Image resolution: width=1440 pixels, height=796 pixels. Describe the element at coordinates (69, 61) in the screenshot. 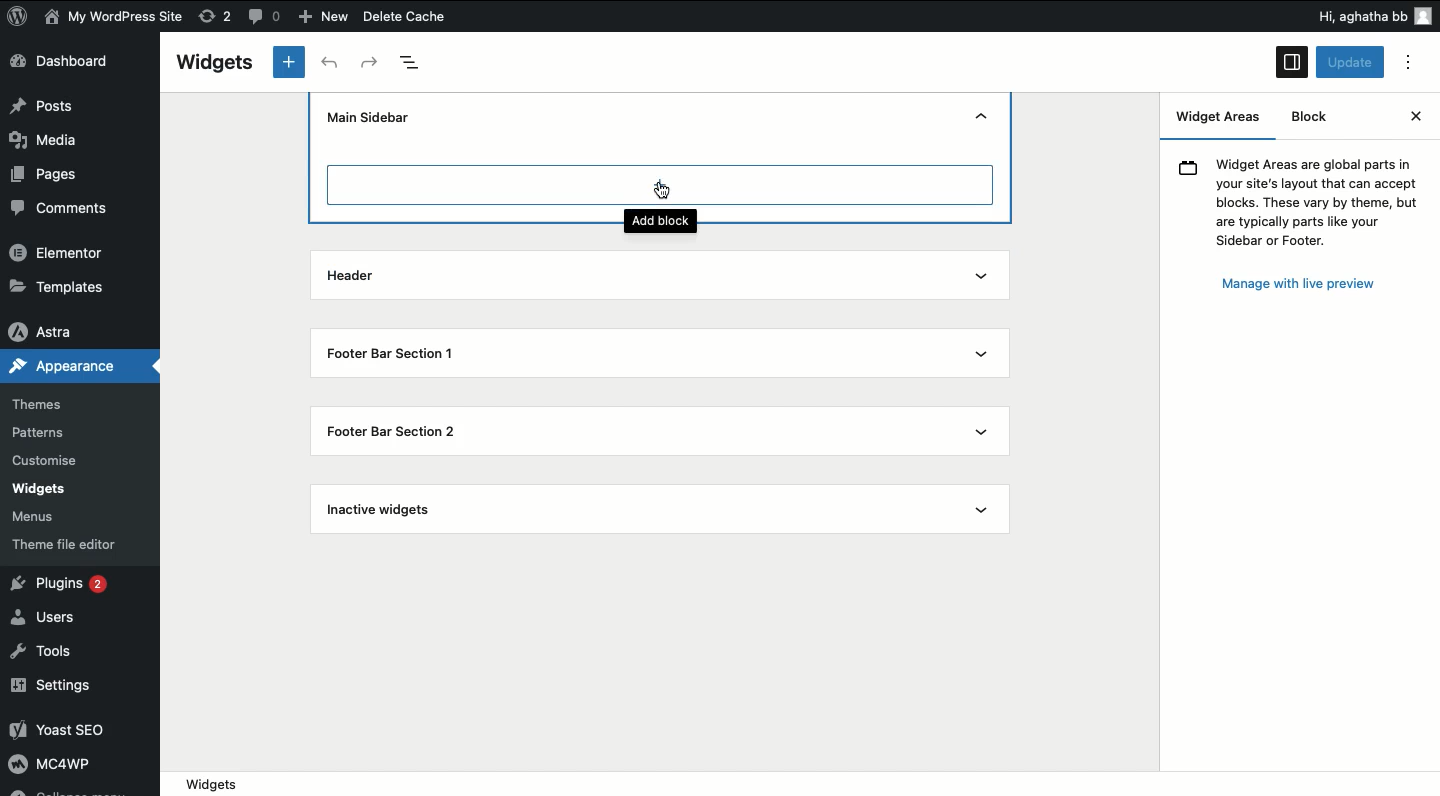

I see `Dashboard` at that location.